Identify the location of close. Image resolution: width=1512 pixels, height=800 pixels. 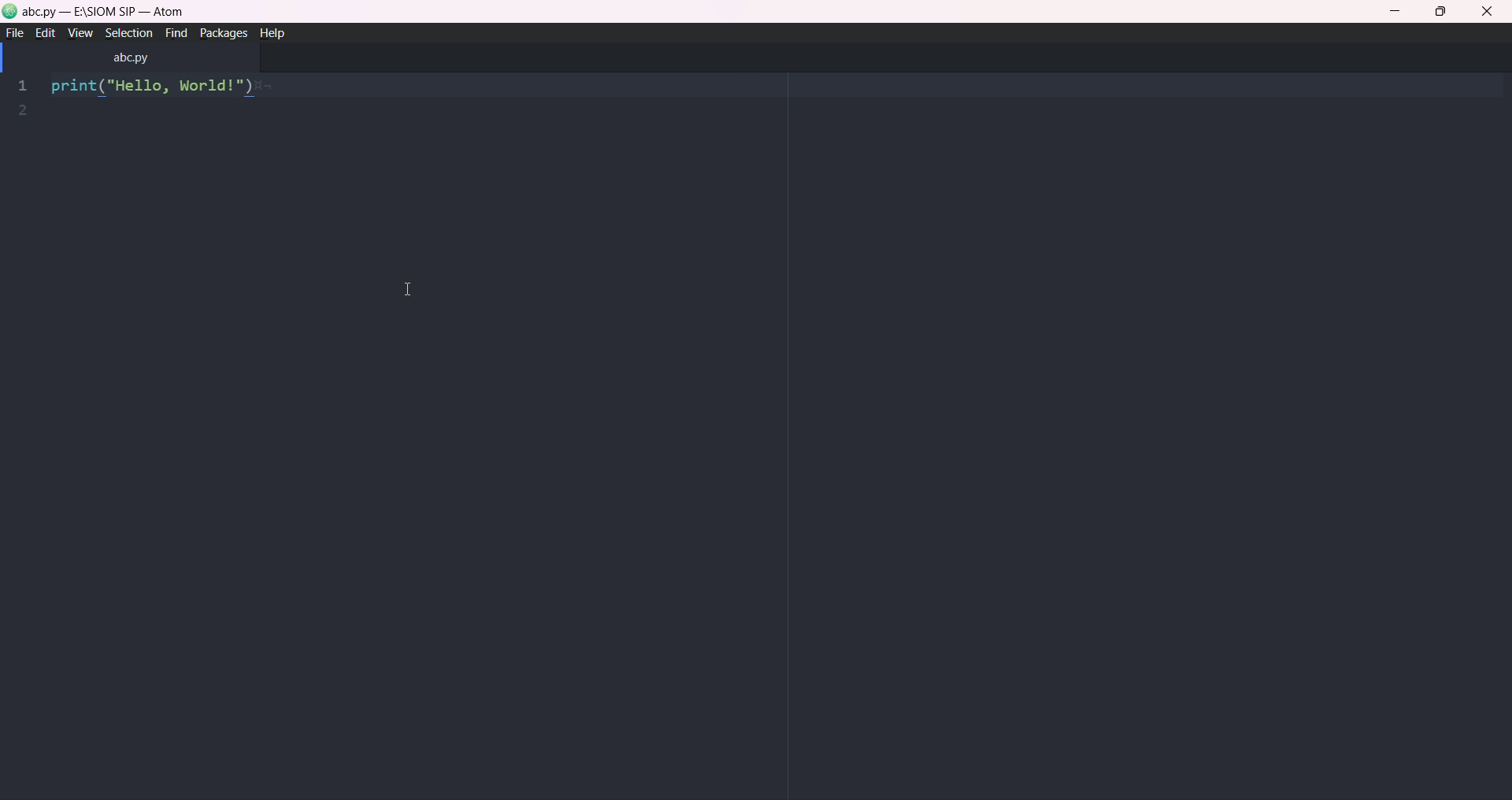
(1488, 12).